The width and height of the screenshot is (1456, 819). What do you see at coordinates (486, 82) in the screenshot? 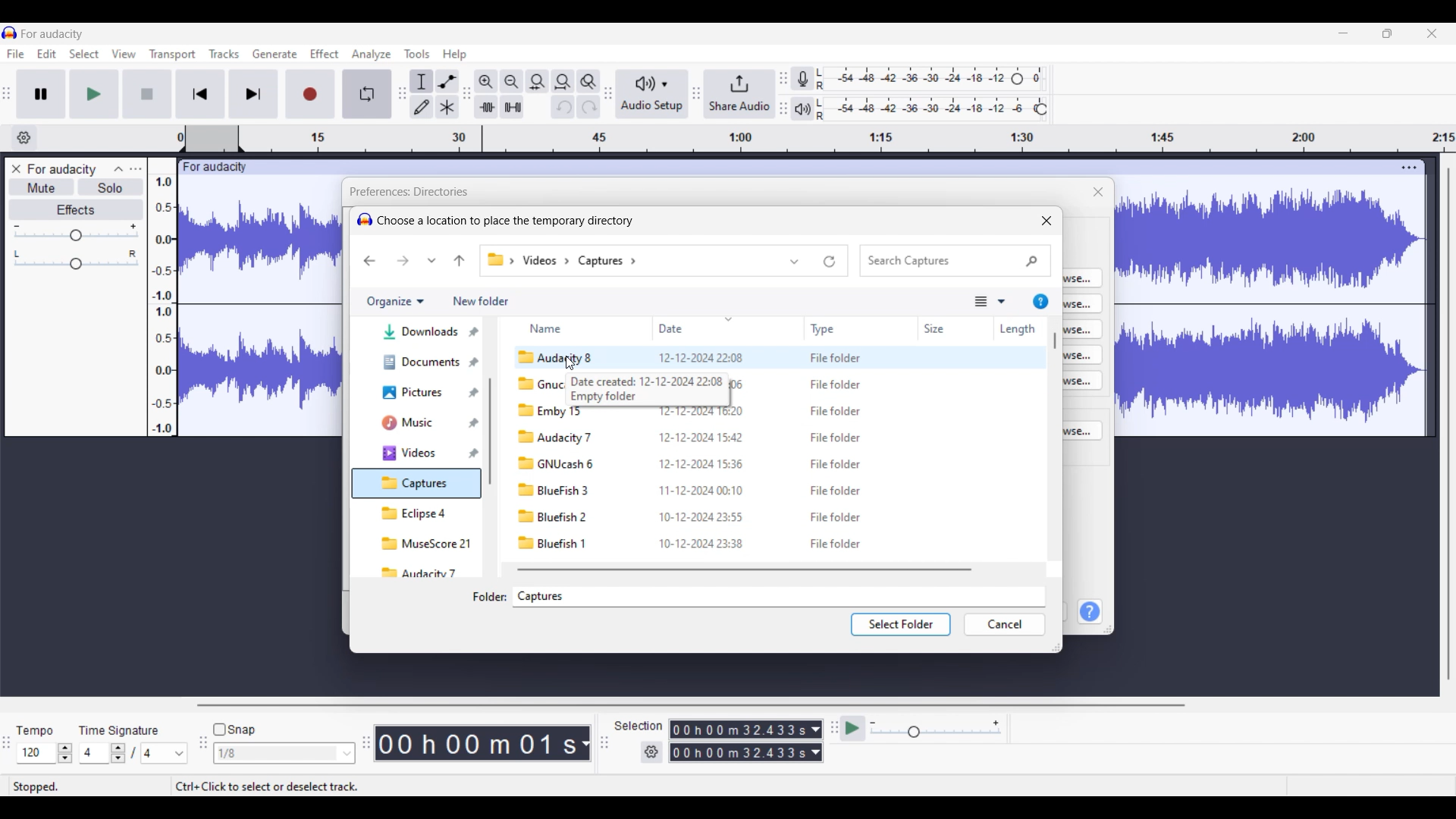
I see `Zoom in` at bounding box center [486, 82].